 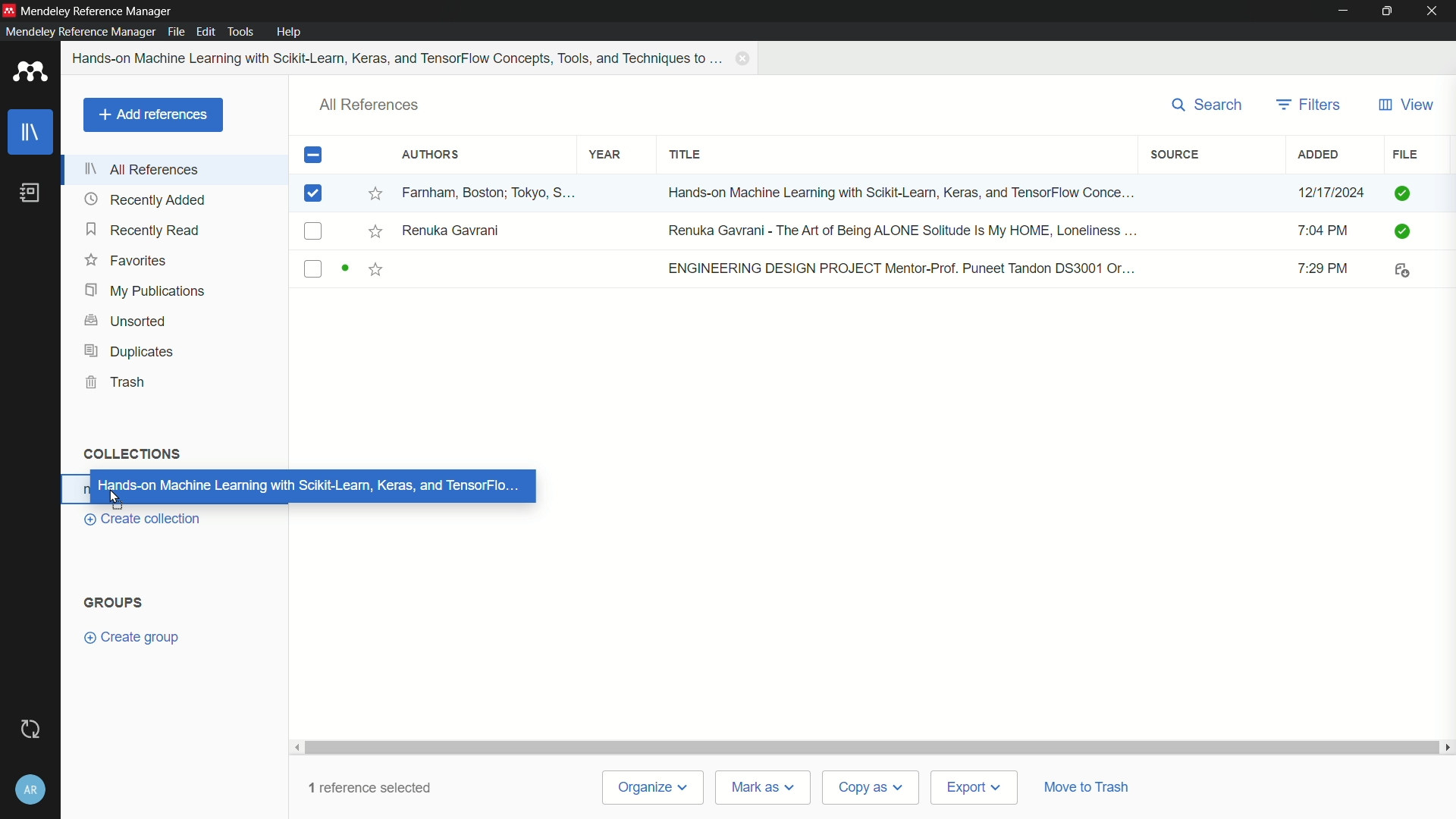 I want to click on file menu, so click(x=176, y=31).